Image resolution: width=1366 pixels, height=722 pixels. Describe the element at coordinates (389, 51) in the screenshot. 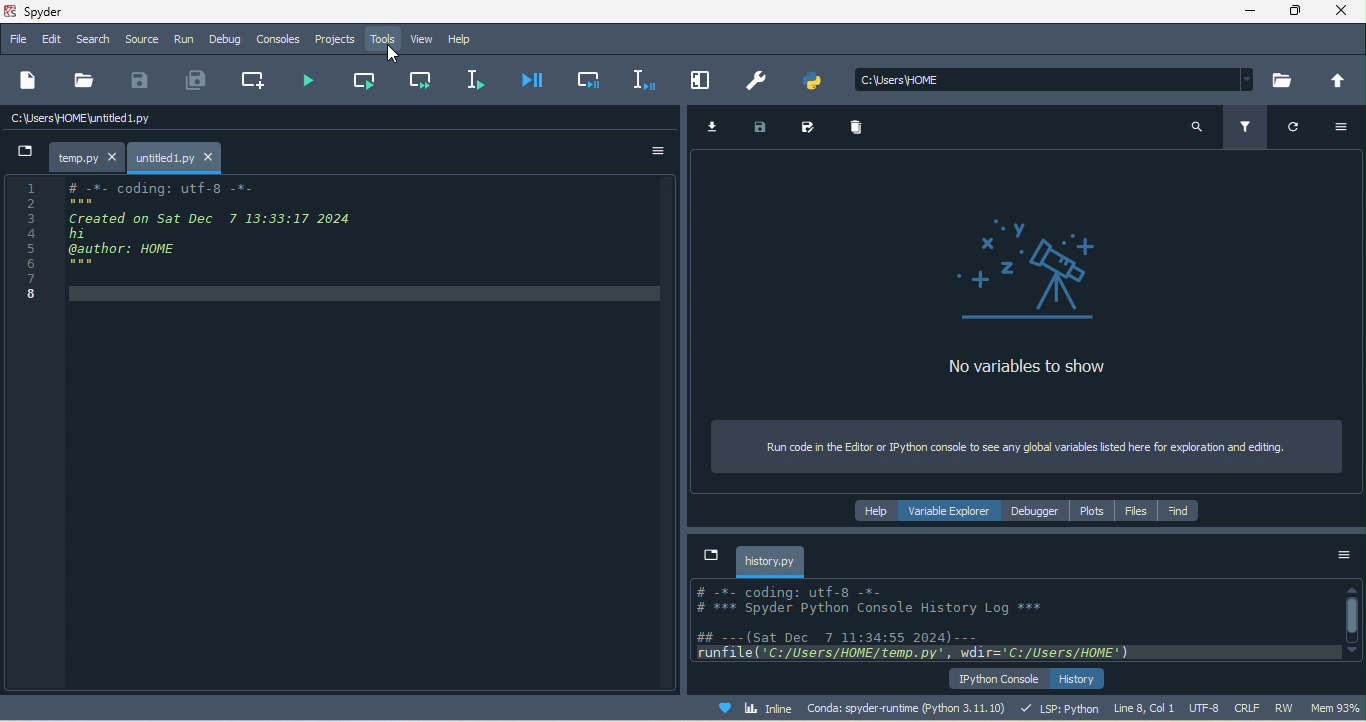

I see `cursor` at that location.